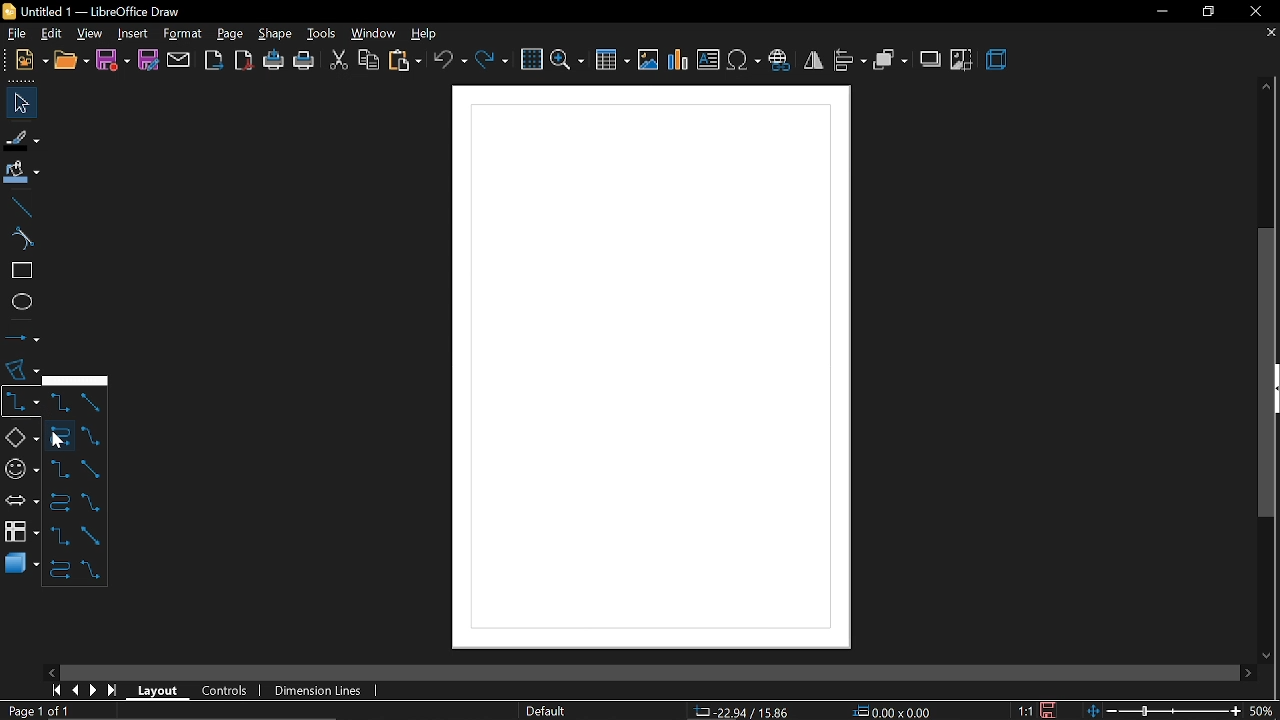  What do you see at coordinates (1270, 37) in the screenshot?
I see `close current tab` at bounding box center [1270, 37].